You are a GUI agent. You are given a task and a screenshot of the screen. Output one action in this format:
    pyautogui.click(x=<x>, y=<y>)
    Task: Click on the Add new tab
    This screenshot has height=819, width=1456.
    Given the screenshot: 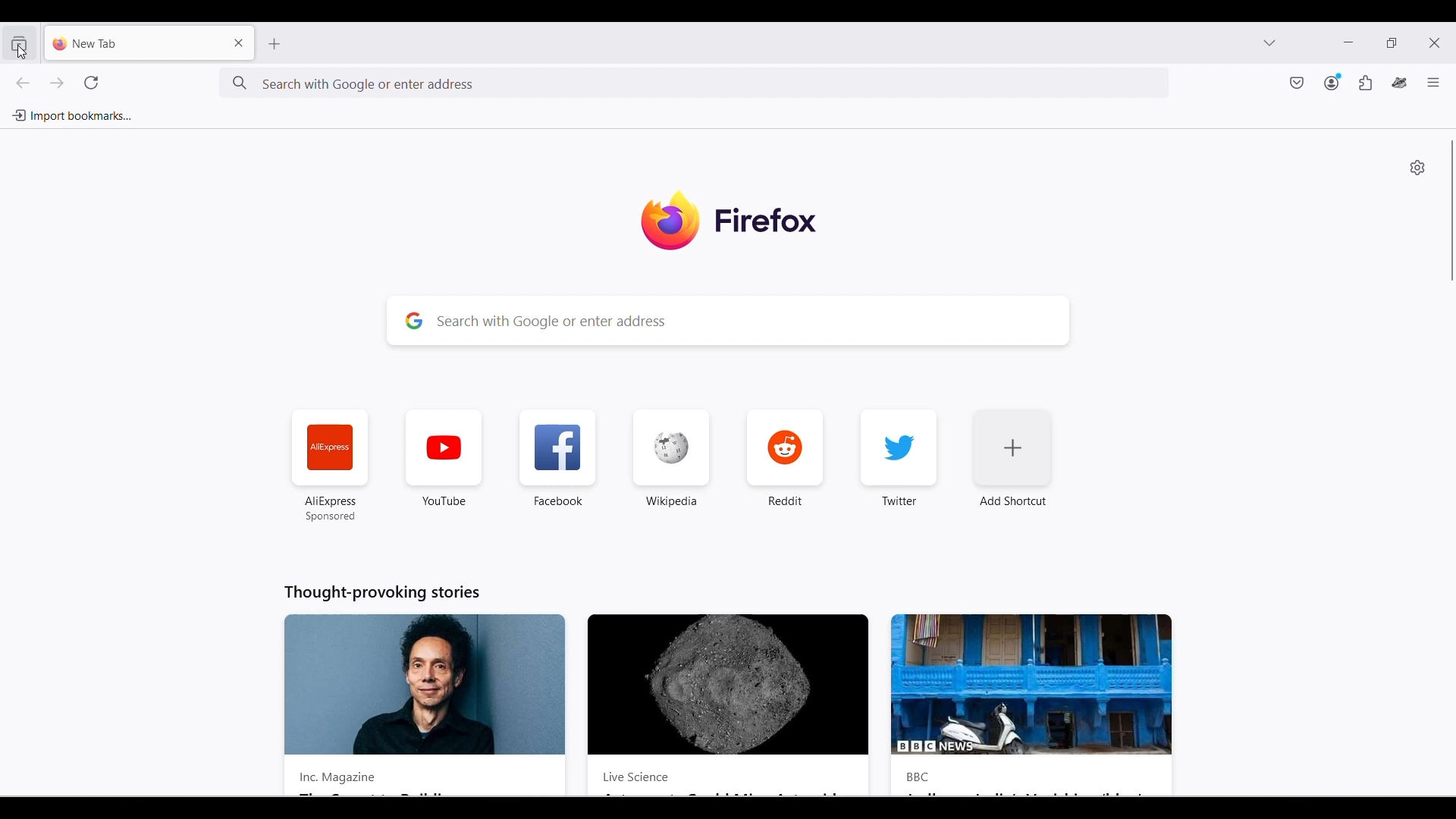 What is the action you would take?
    pyautogui.click(x=275, y=44)
    